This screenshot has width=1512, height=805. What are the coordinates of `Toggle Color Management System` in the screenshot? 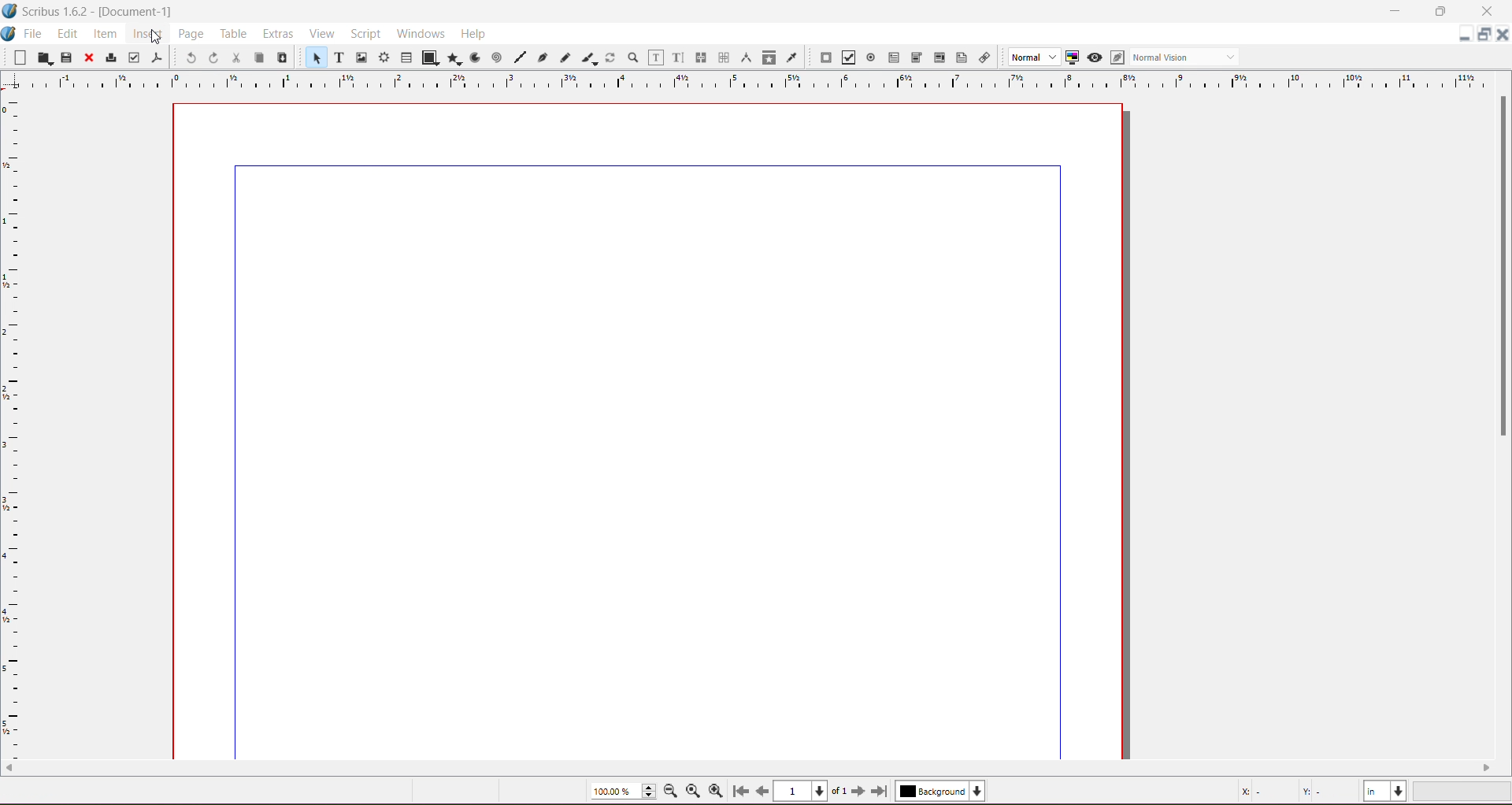 It's located at (1071, 57).